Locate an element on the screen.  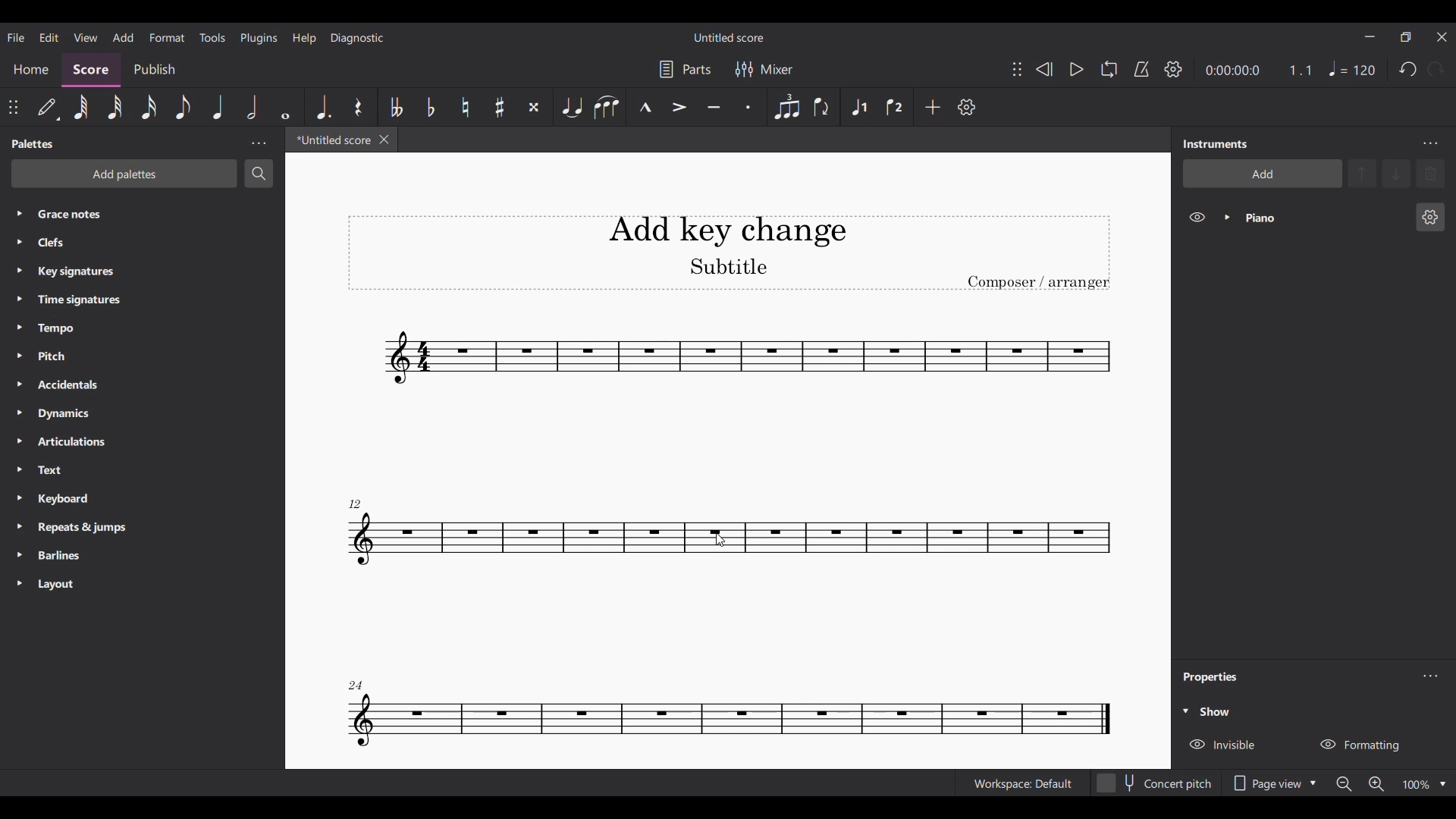
Marcato is located at coordinates (645, 106).